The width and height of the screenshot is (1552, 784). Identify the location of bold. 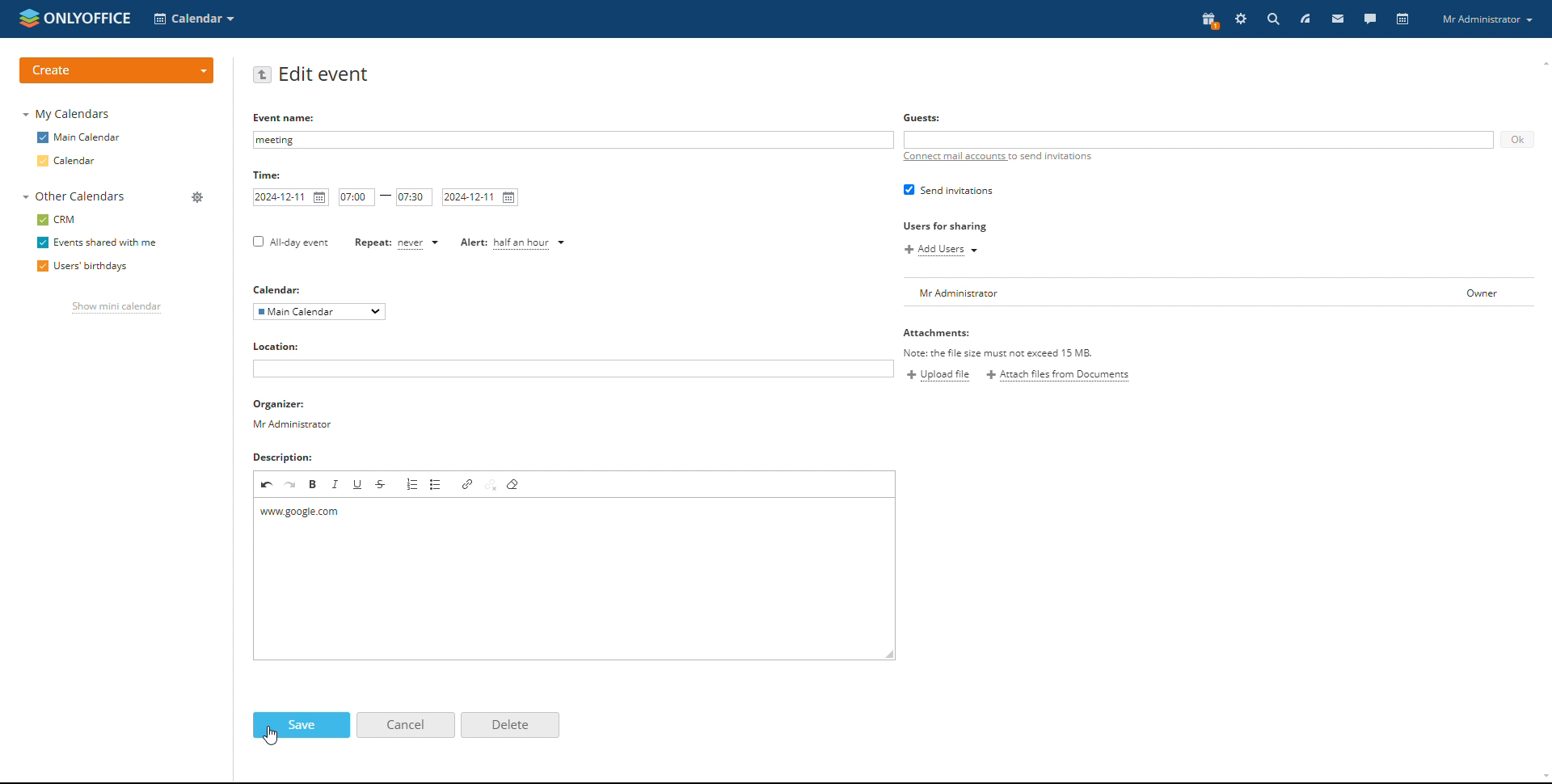
(313, 483).